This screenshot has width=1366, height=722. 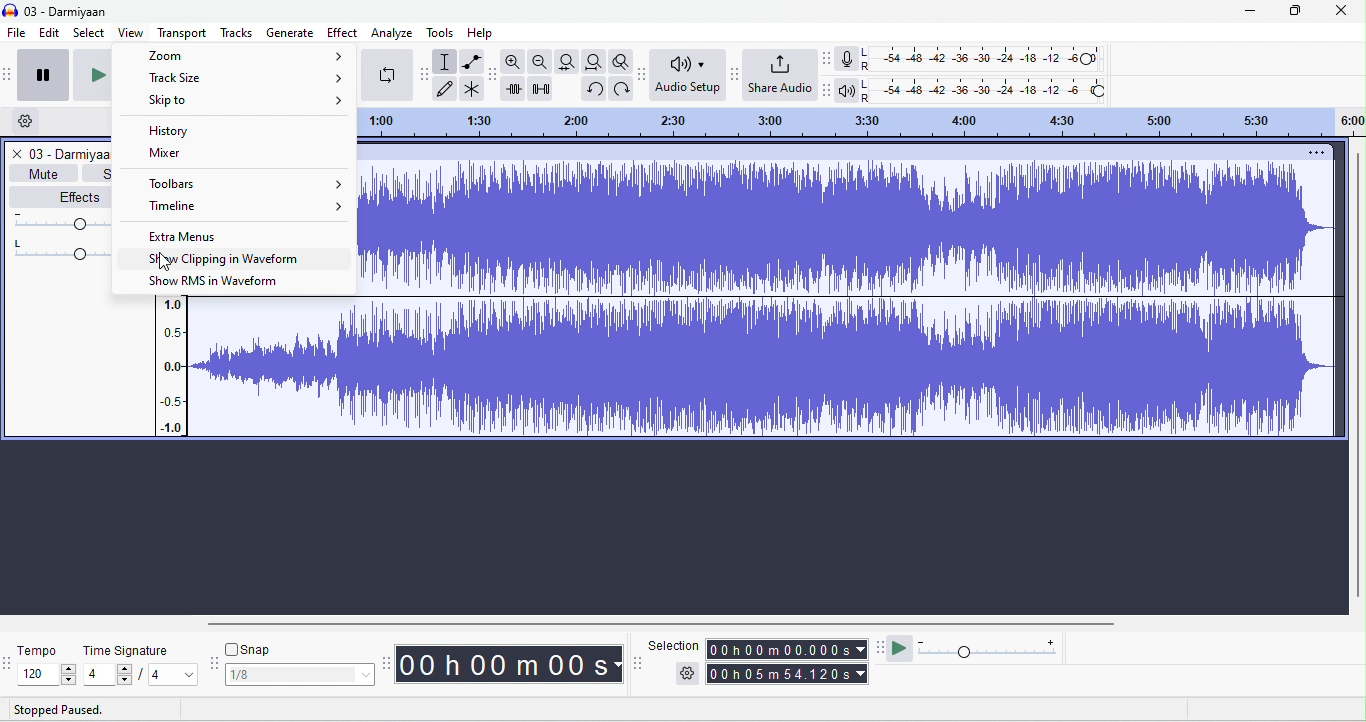 What do you see at coordinates (301, 675) in the screenshot?
I see `select snapping` at bounding box center [301, 675].